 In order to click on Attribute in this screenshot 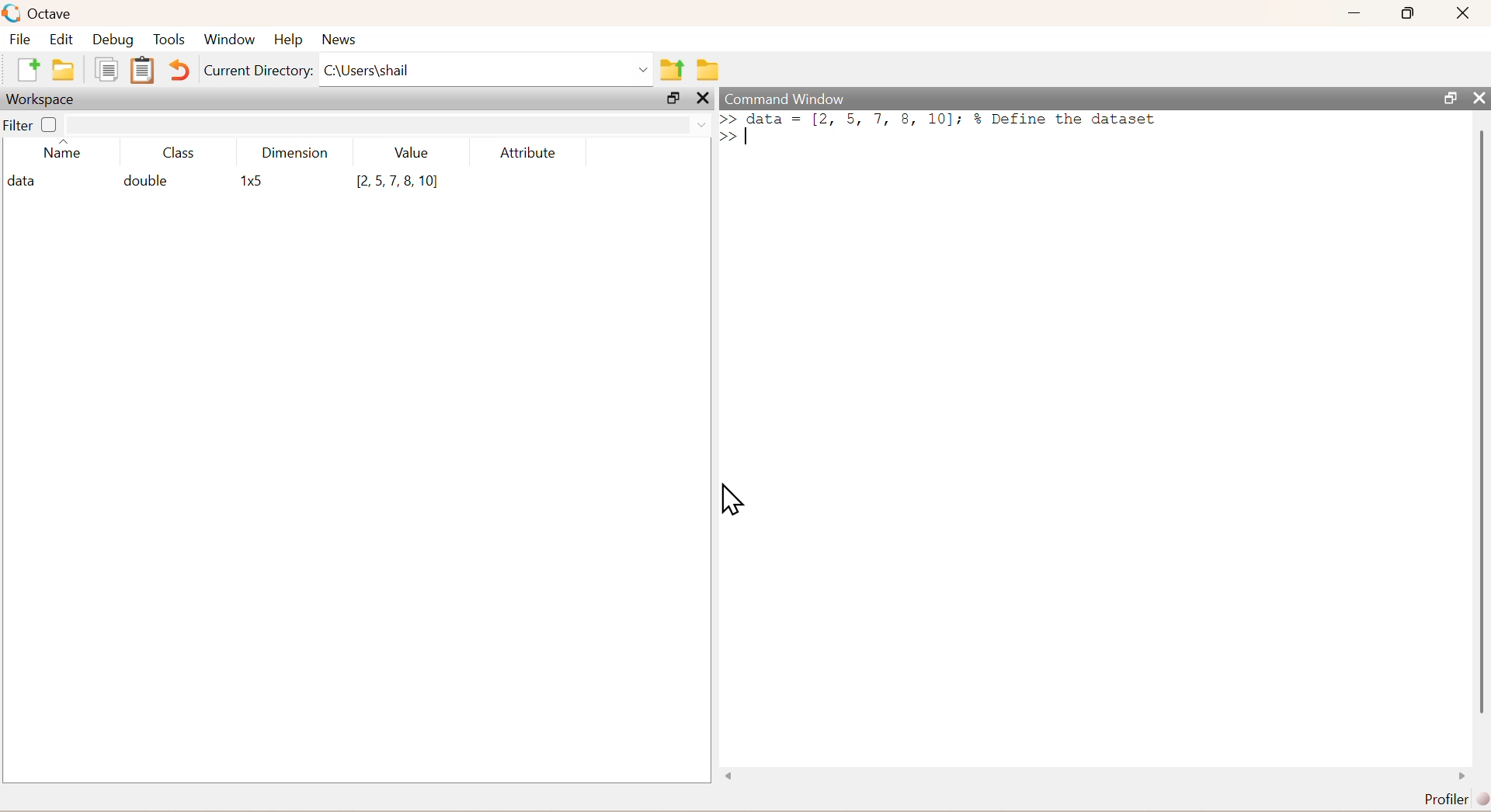, I will do `click(529, 152)`.